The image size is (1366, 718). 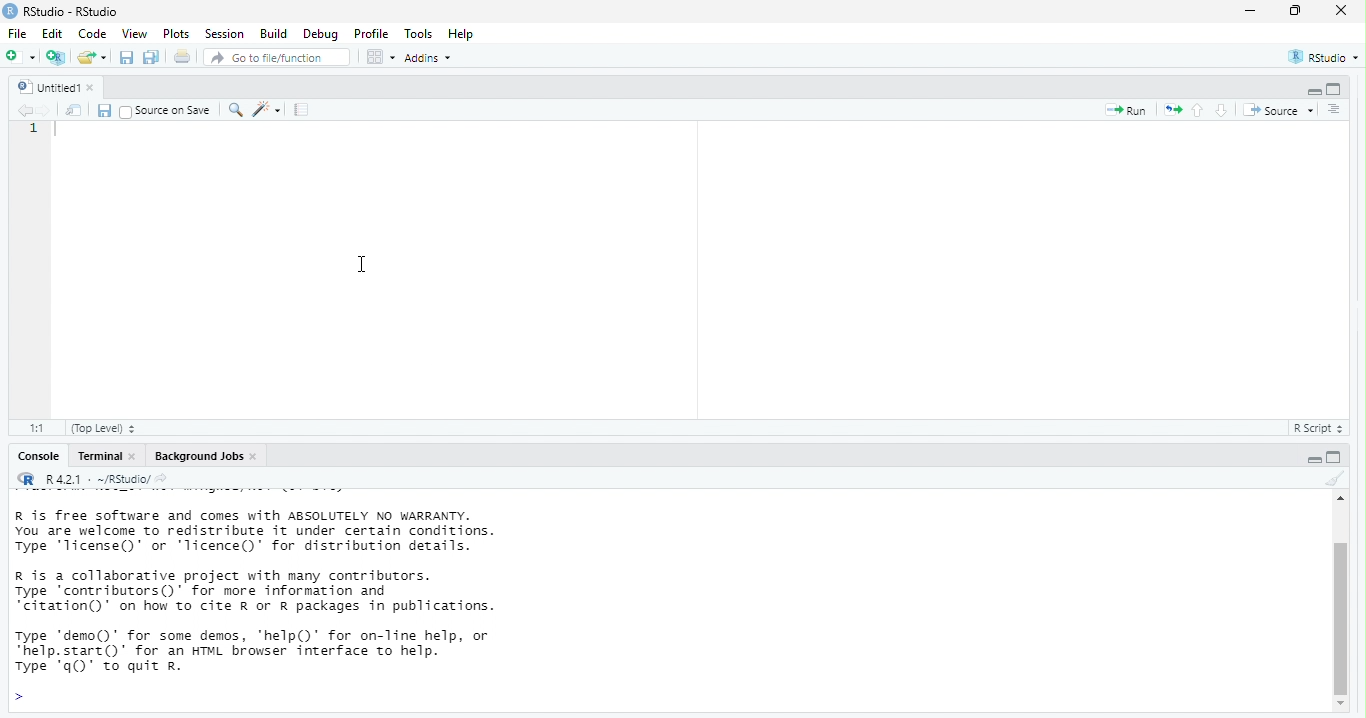 What do you see at coordinates (55, 34) in the screenshot?
I see `edit` at bounding box center [55, 34].